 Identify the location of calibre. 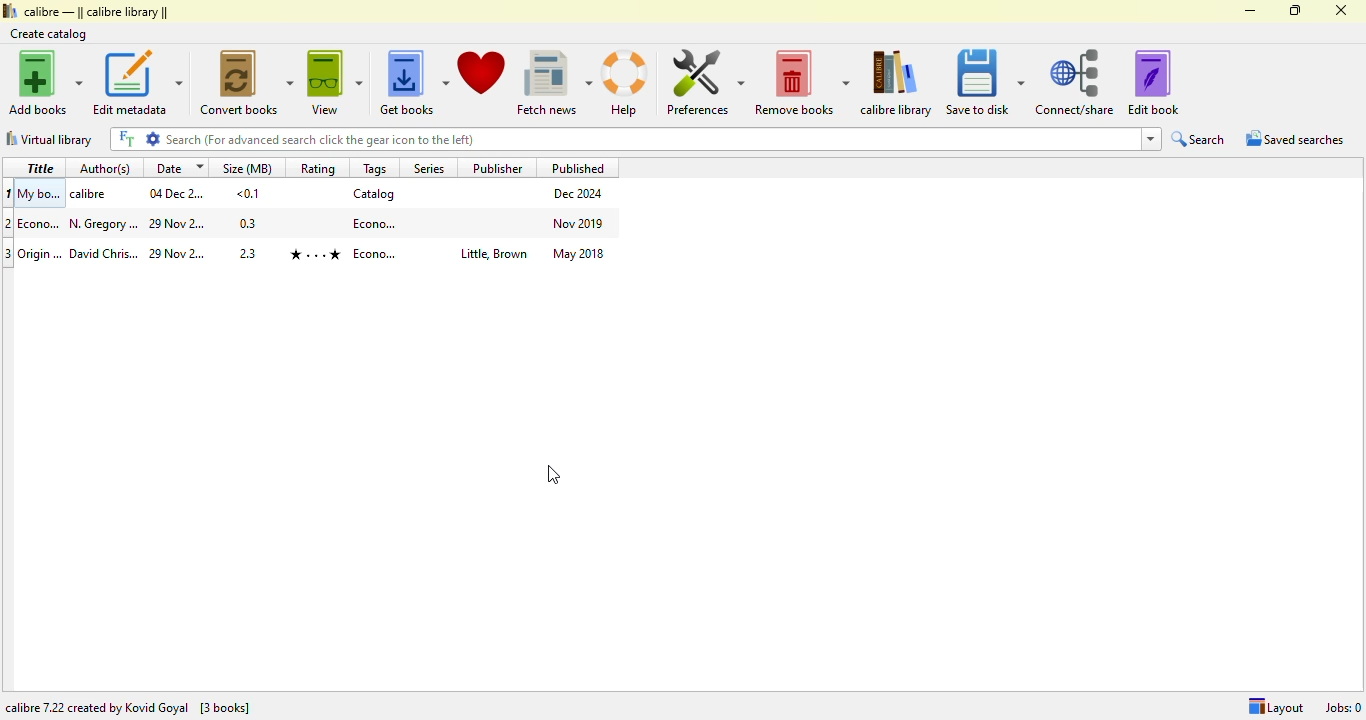
(91, 193).